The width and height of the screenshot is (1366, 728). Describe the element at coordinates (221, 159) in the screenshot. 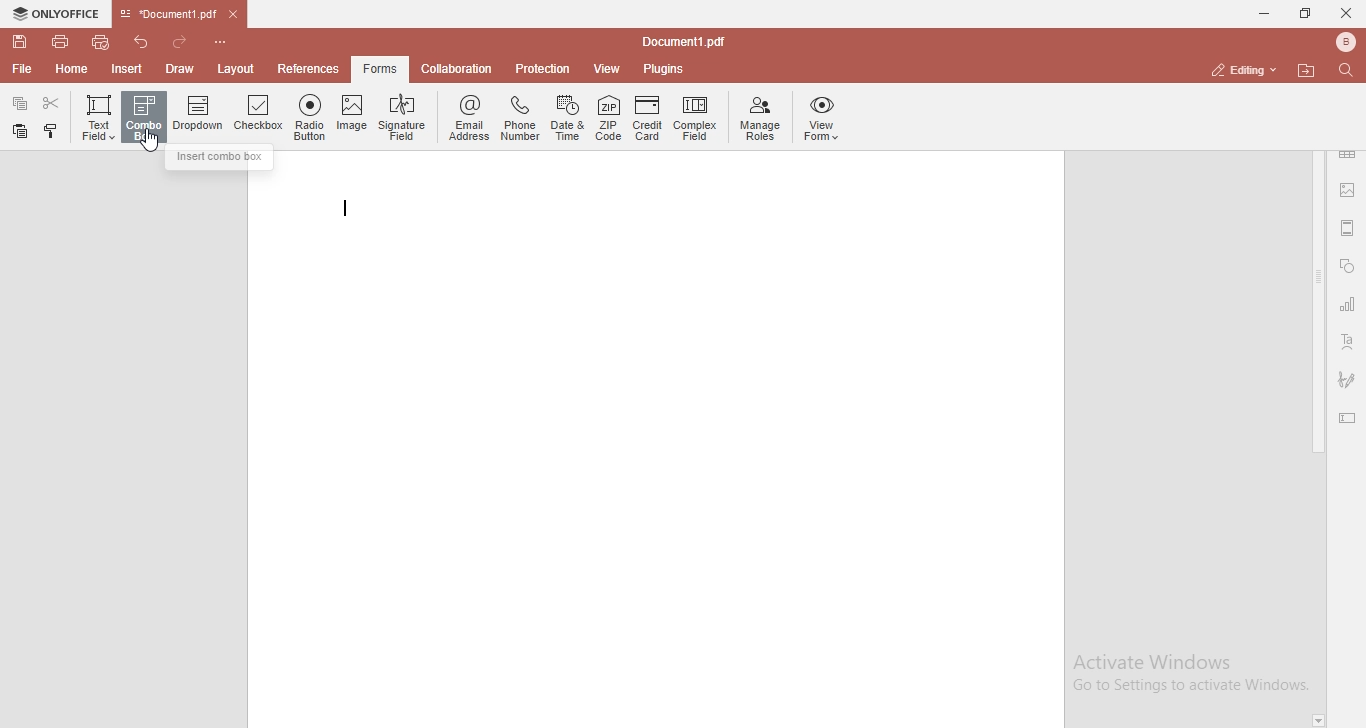

I see `inset combo box` at that location.